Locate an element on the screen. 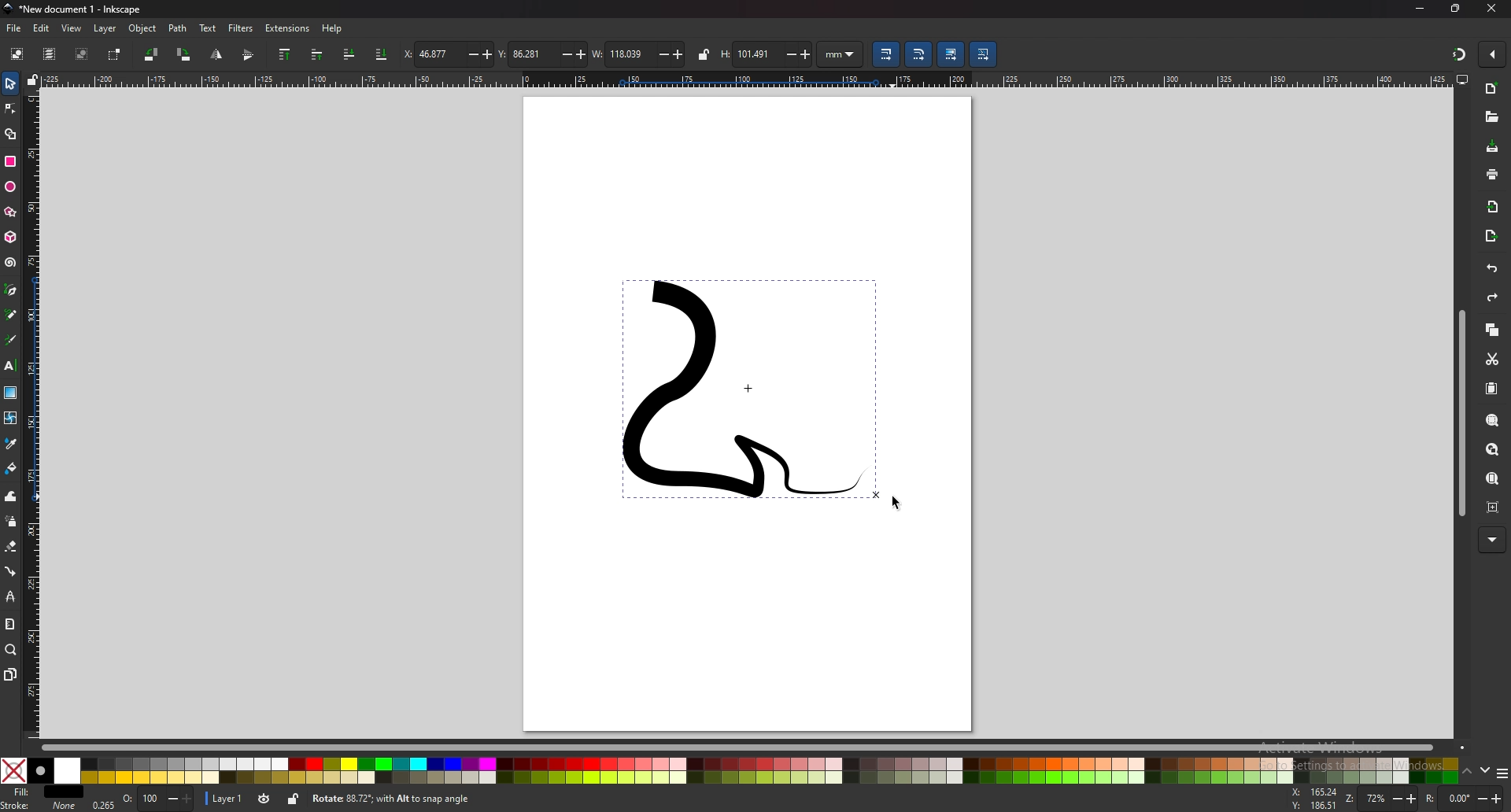 The height and width of the screenshot is (812, 1511). info is located at coordinates (543, 799).